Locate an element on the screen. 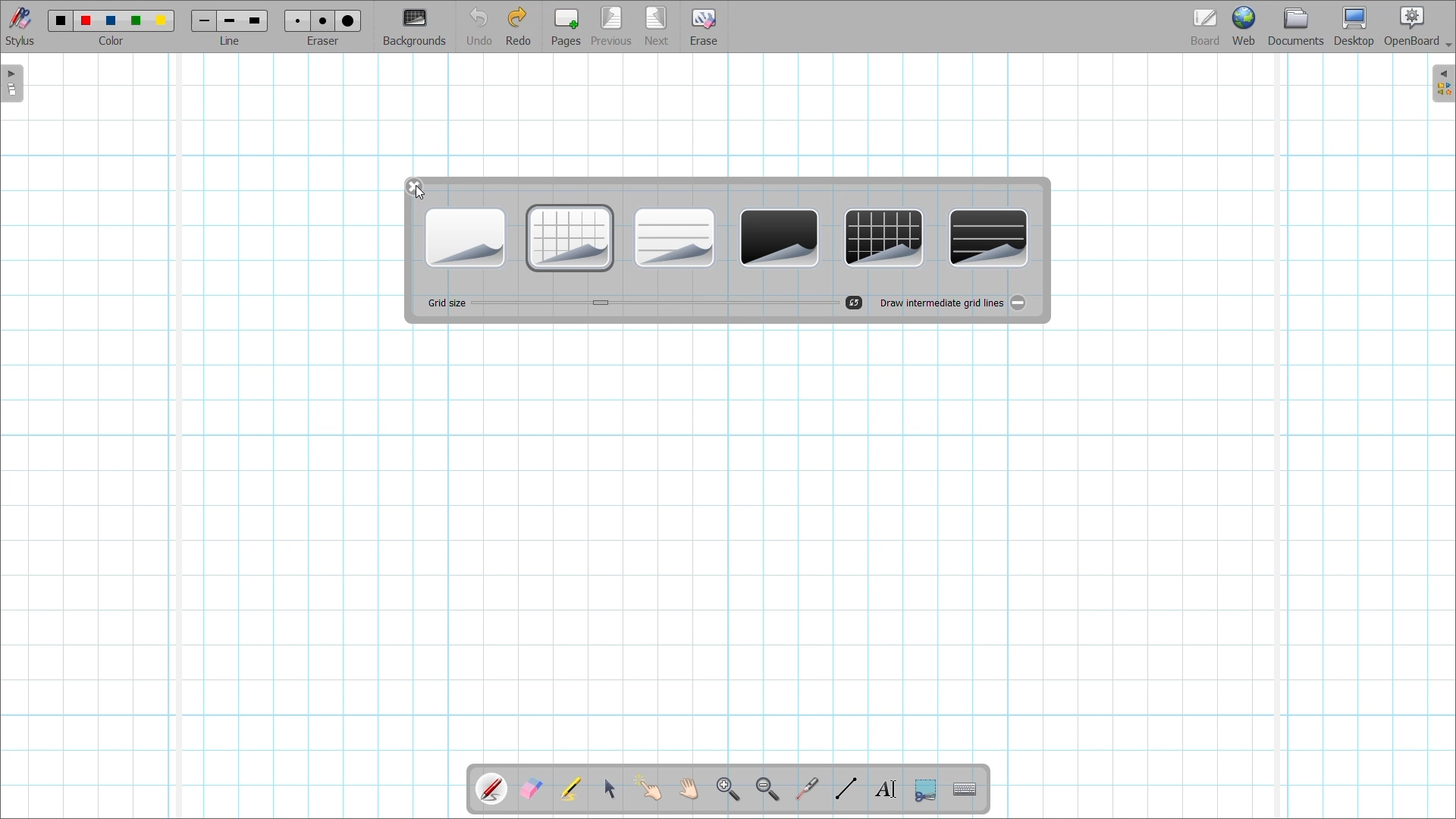 This screenshot has height=819, width=1456. Ruled dark background is located at coordinates (990, 238).